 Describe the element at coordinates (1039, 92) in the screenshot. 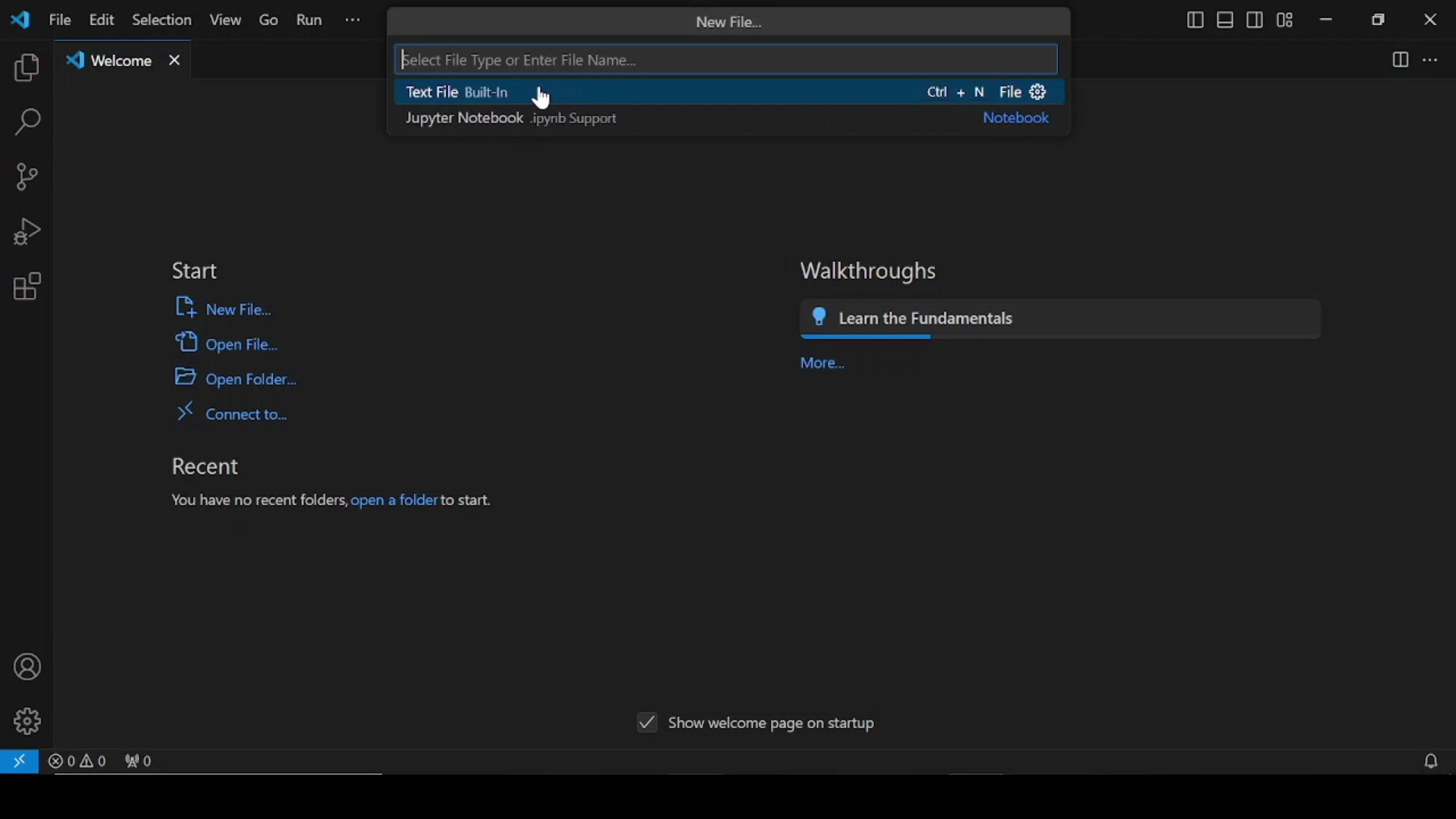

I see `Settings` at that location.